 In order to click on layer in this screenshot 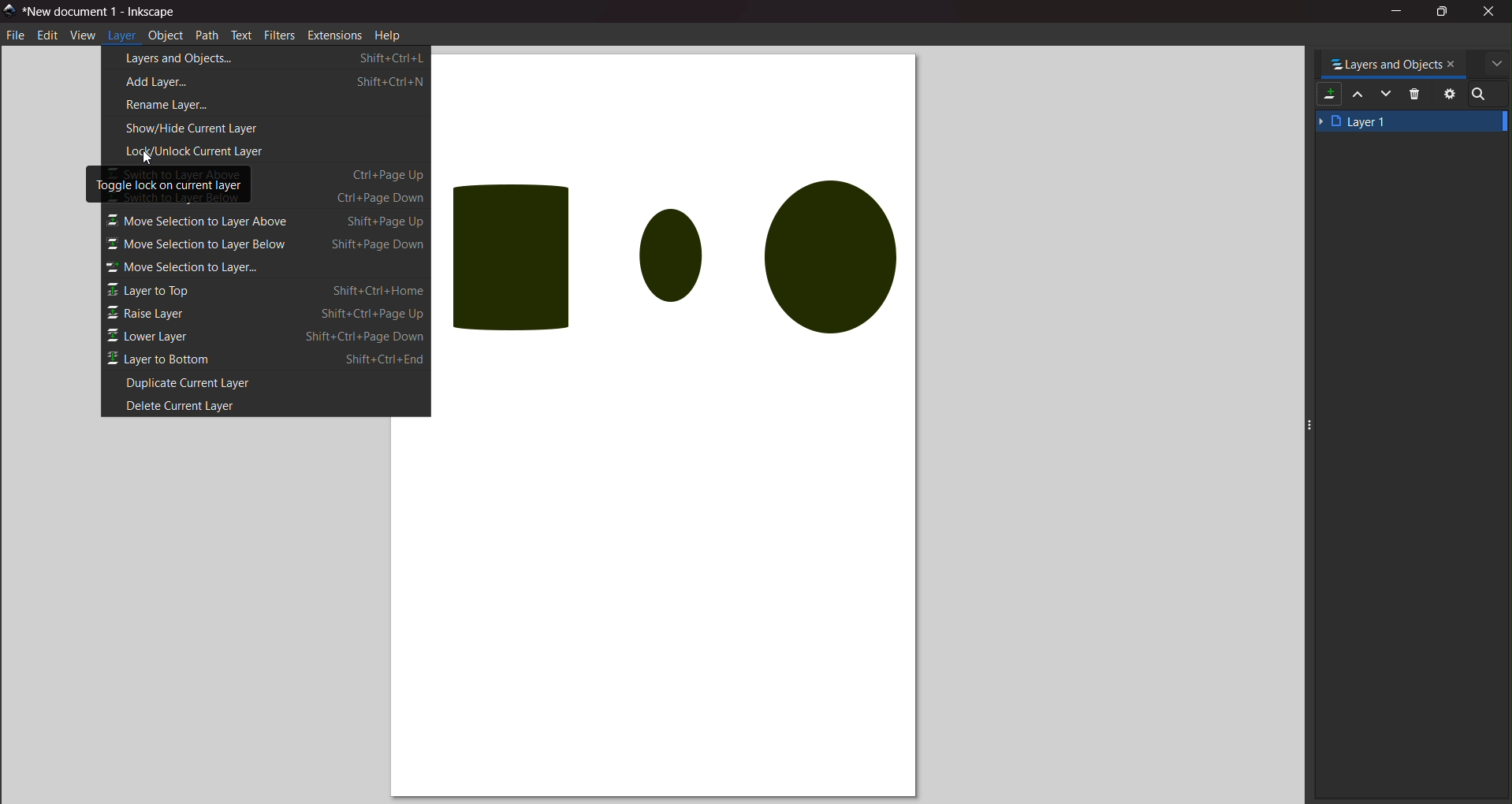, I will do `click(121, 35)`.